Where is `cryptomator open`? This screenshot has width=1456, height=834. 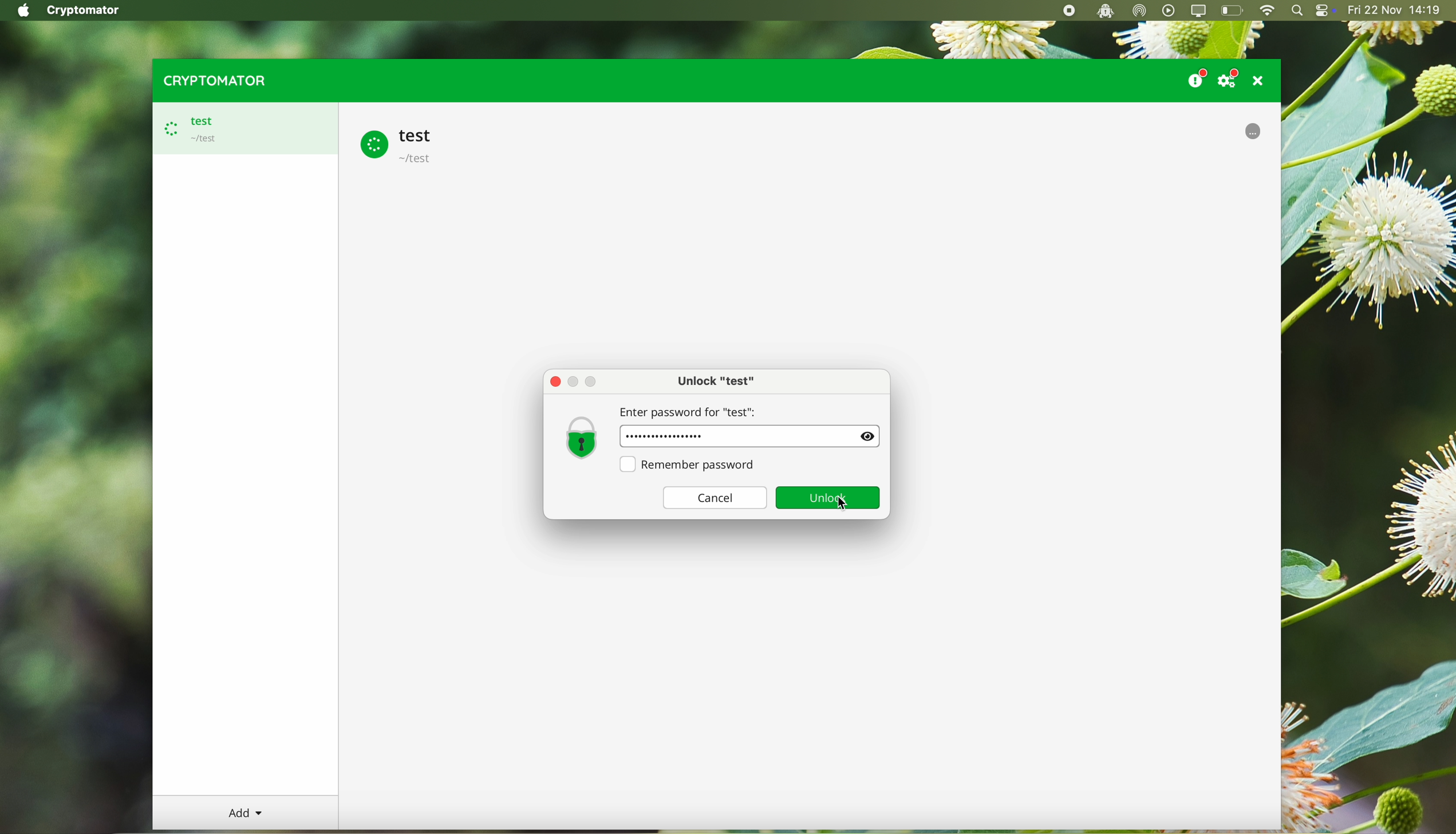 cryptomator open is located at coordinates (1103, 11).